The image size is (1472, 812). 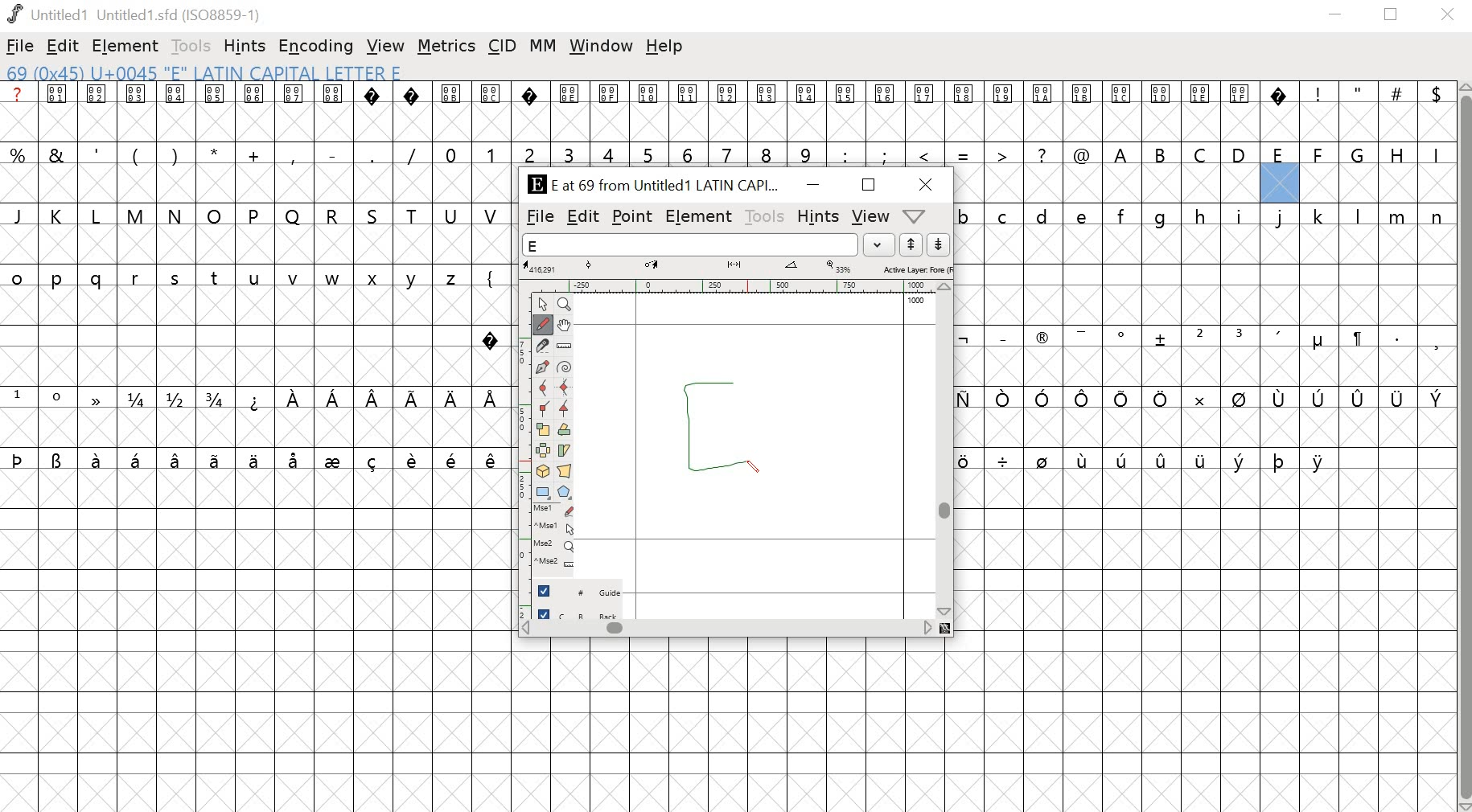 I want to click on empty cells, so click(x=1206, y=275).